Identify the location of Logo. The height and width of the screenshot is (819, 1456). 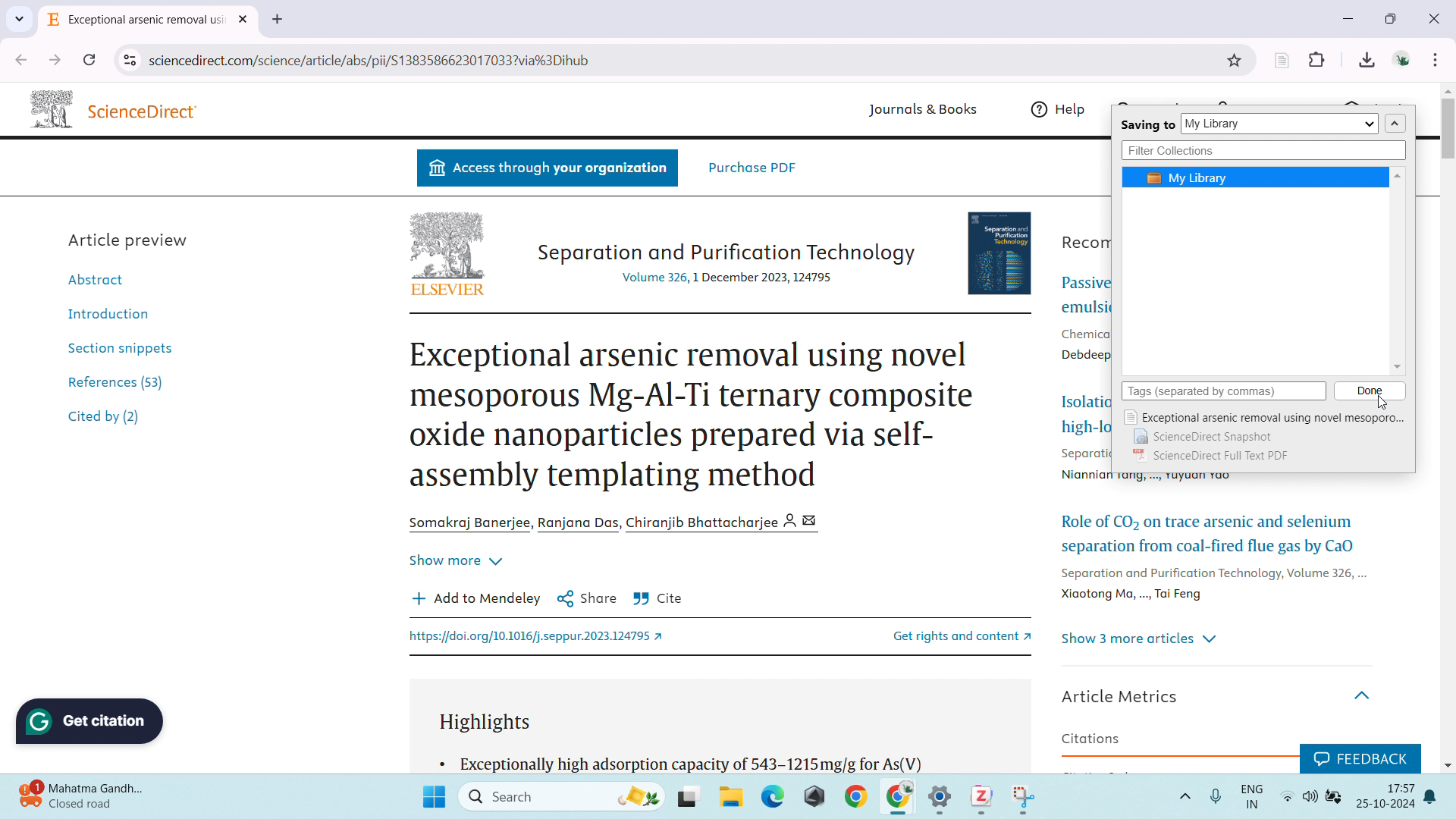
(447, 244).